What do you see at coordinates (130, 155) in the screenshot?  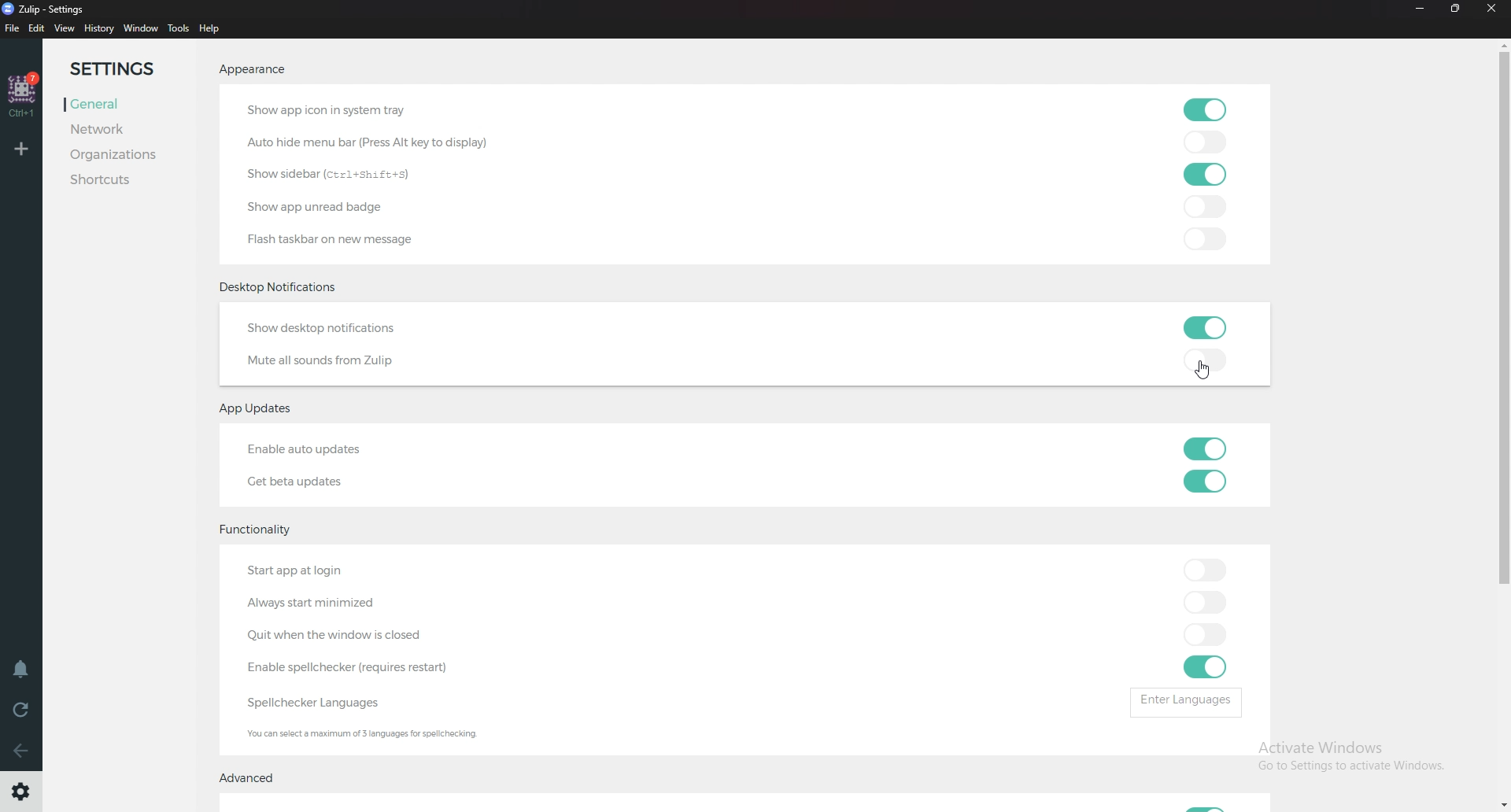 I see `Organizations` at bounding box center [130, 155].